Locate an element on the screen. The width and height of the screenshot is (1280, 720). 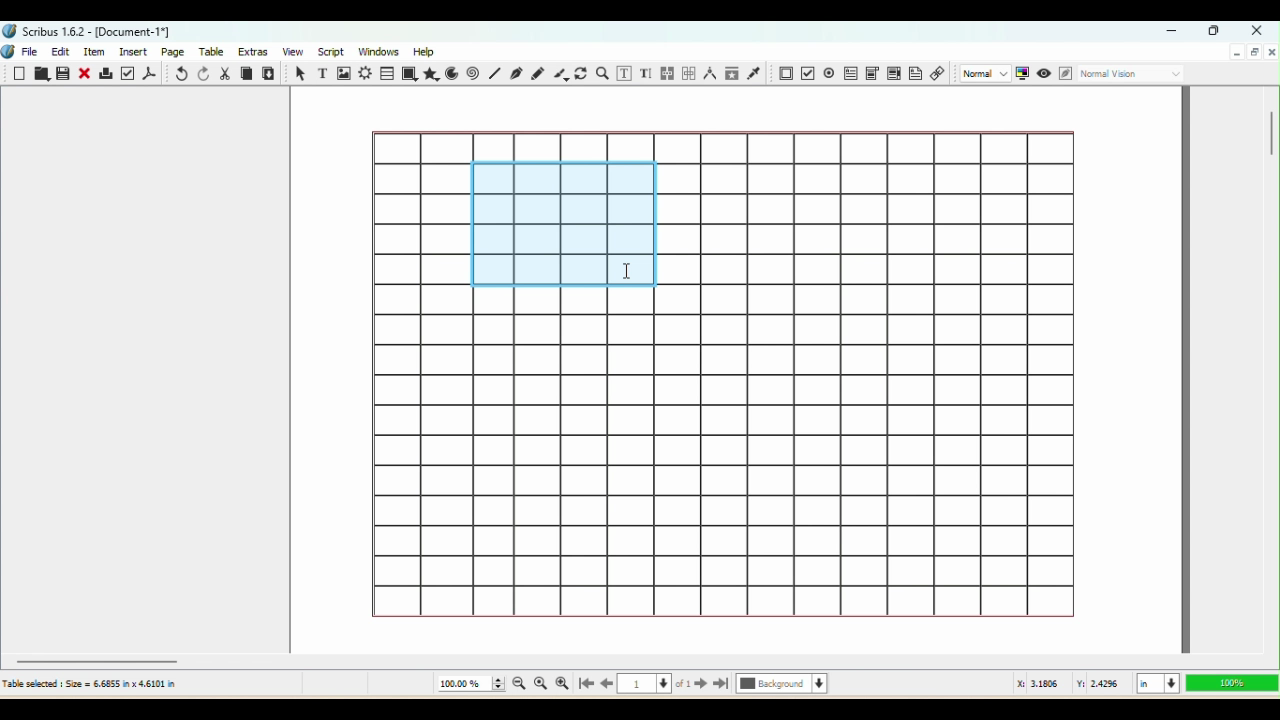
Current zoom level is located at coordinates (470, 684).